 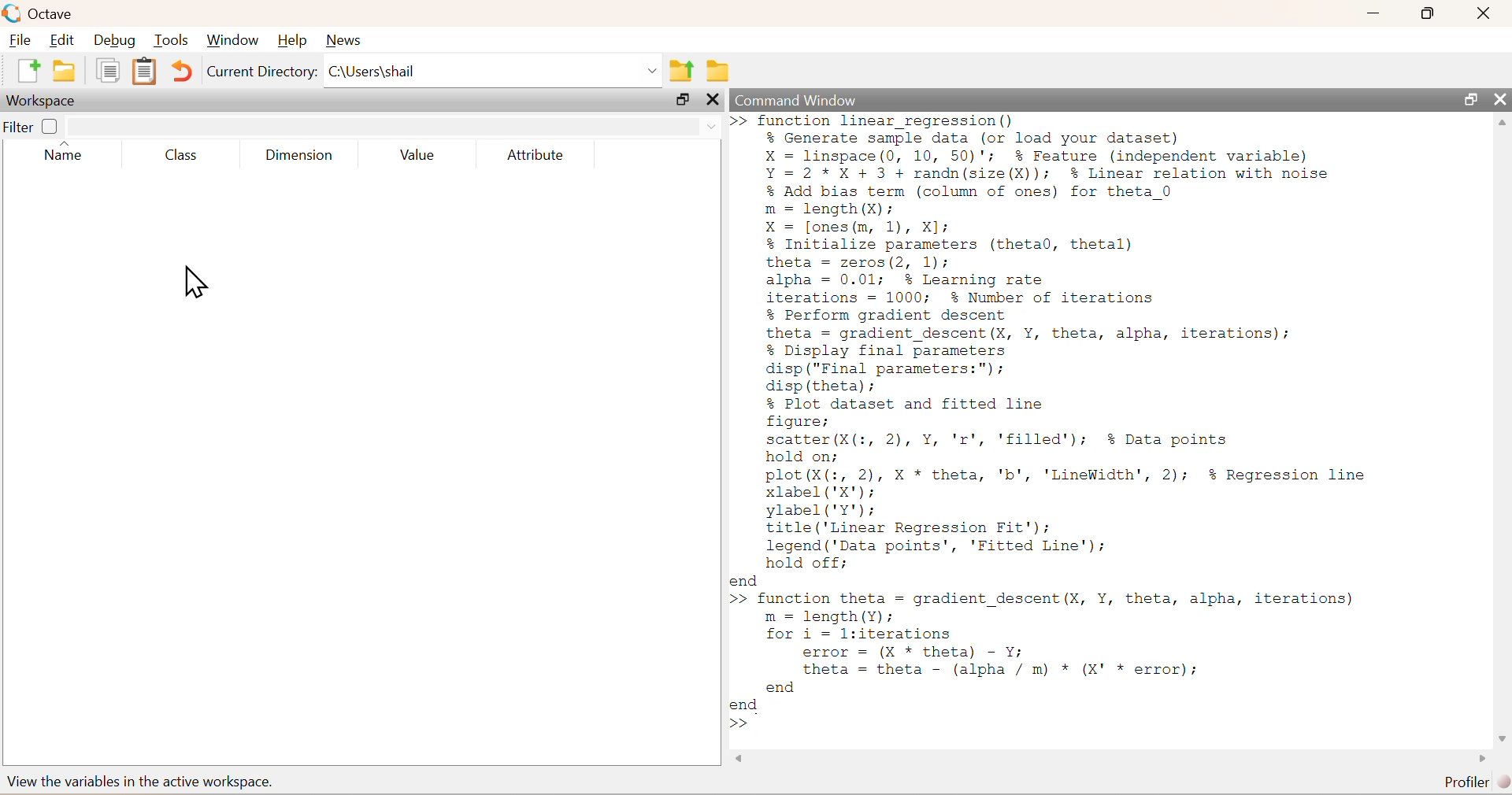 I want to click on Dimension, so click(x=300, y=156).